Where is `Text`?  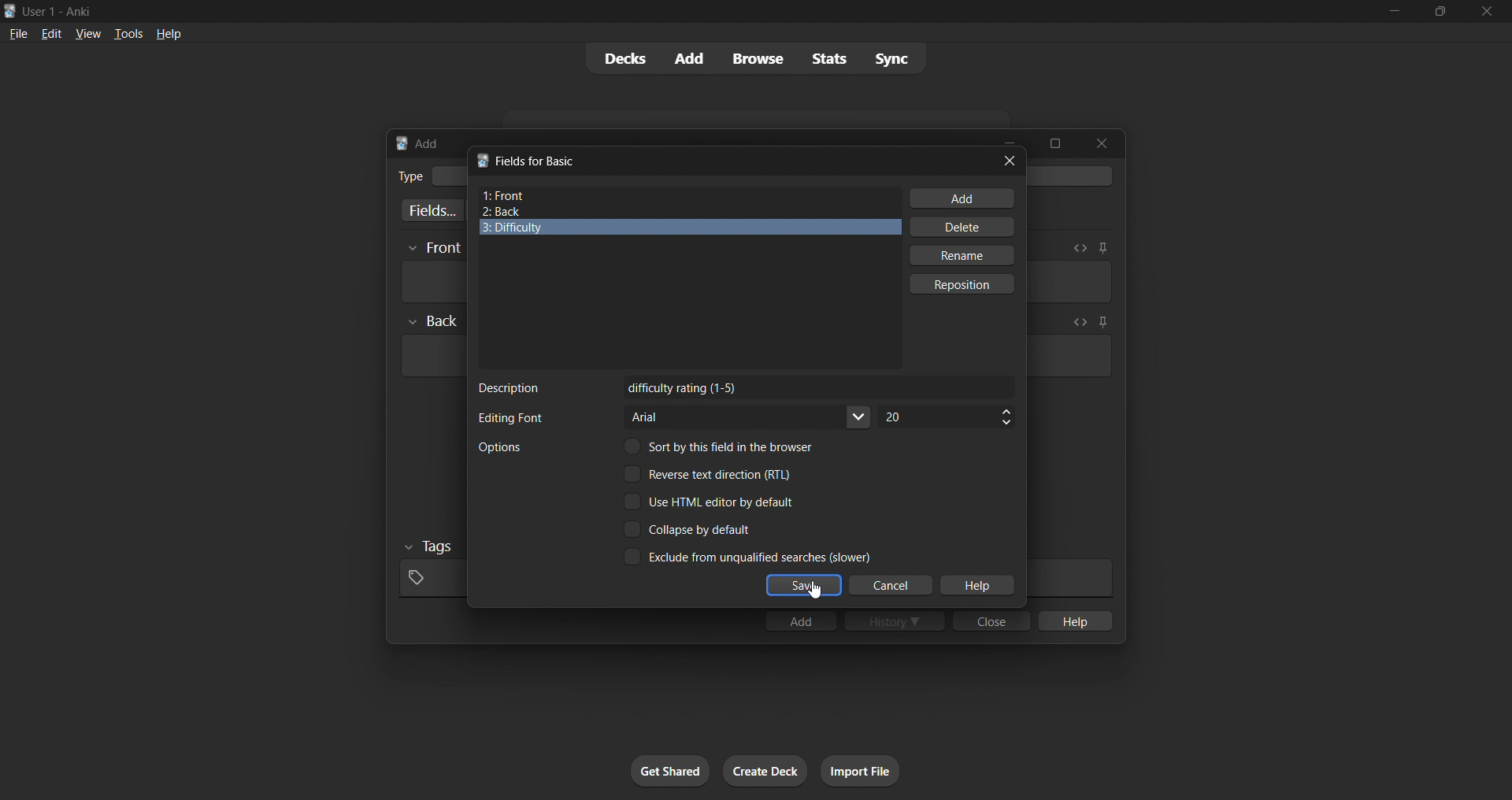 Text is located at coordinates (510, 388).